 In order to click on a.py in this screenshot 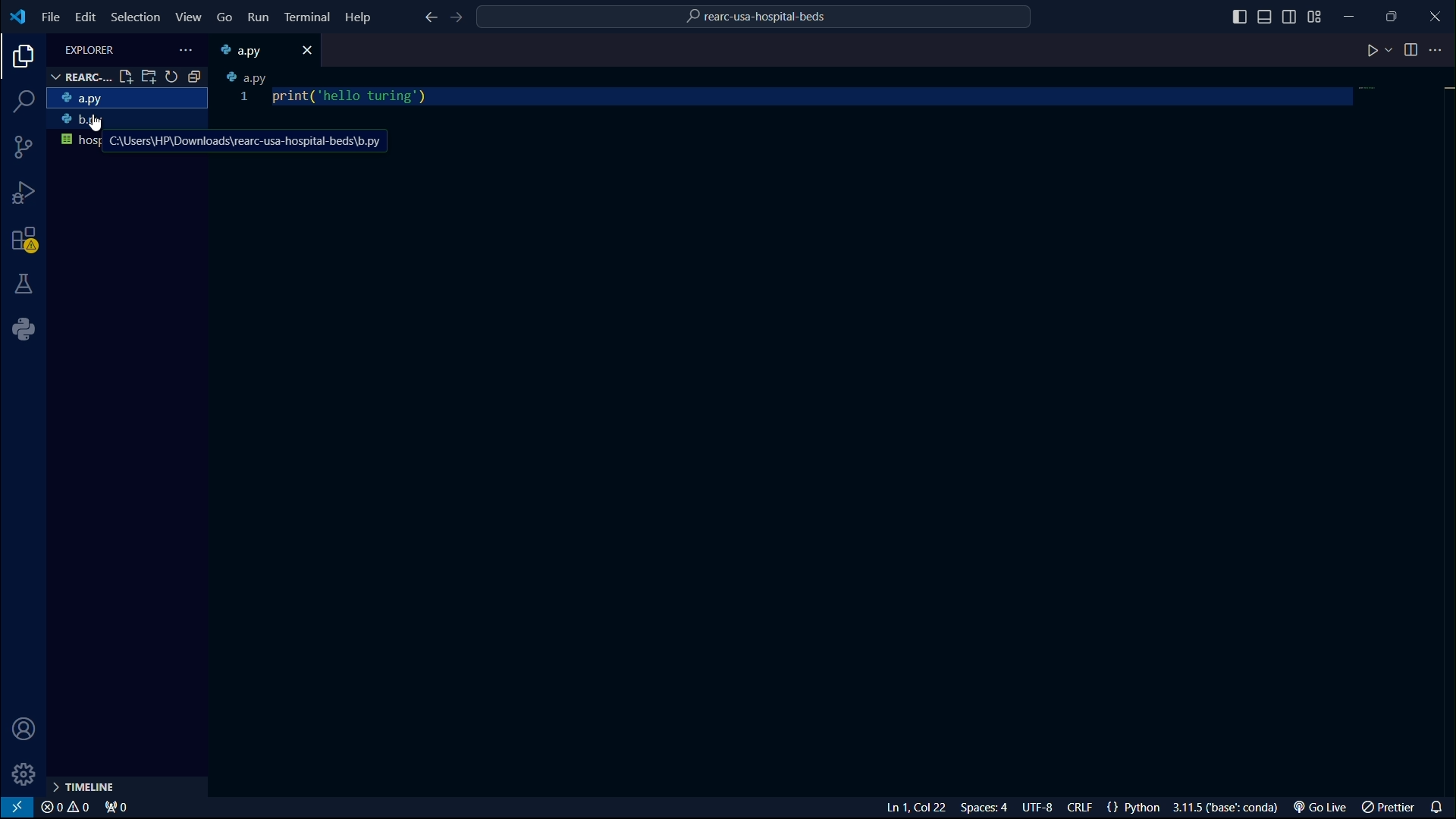, I will do `click(244, 78)`.